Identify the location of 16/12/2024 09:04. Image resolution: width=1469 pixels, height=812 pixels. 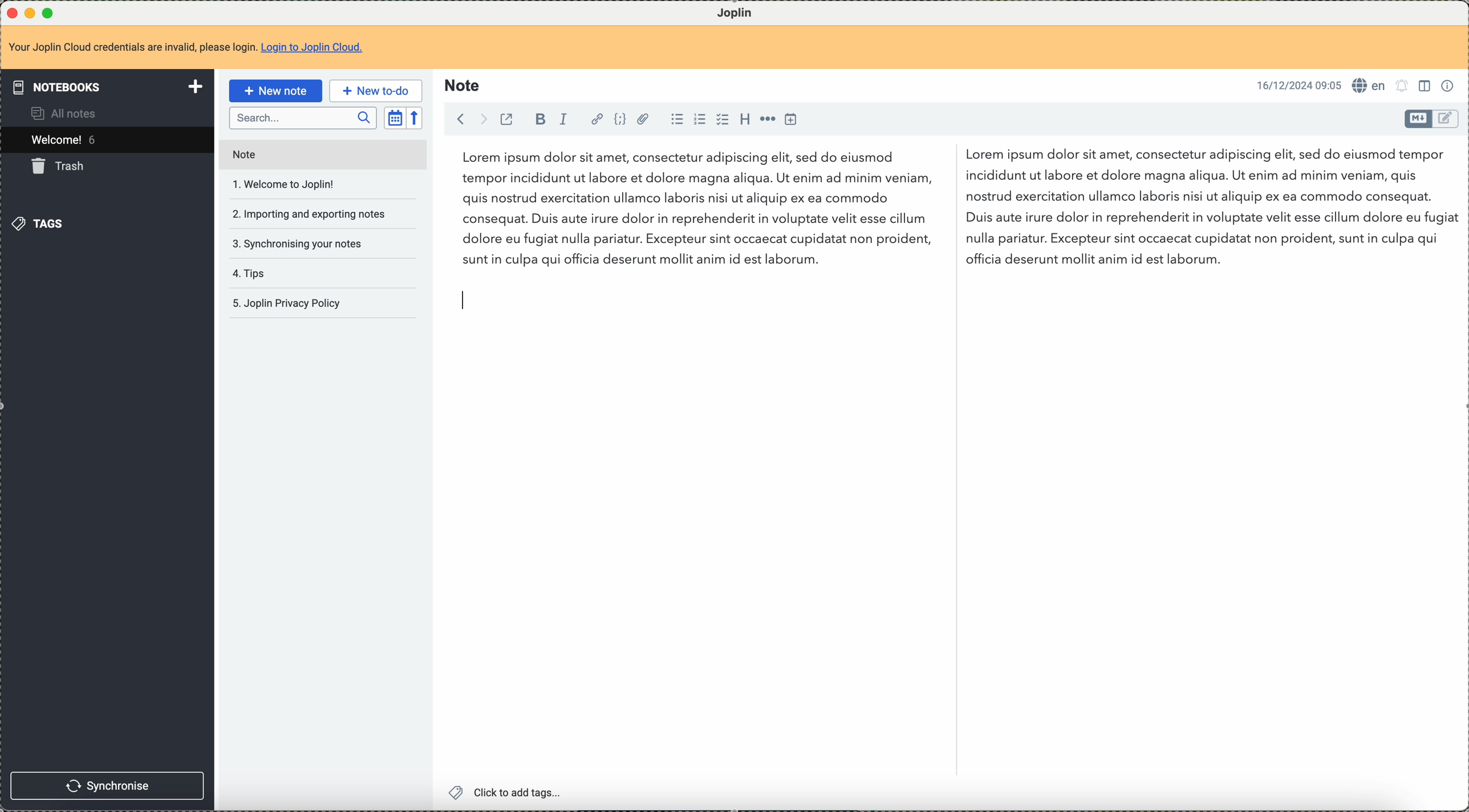
(1298, 84).